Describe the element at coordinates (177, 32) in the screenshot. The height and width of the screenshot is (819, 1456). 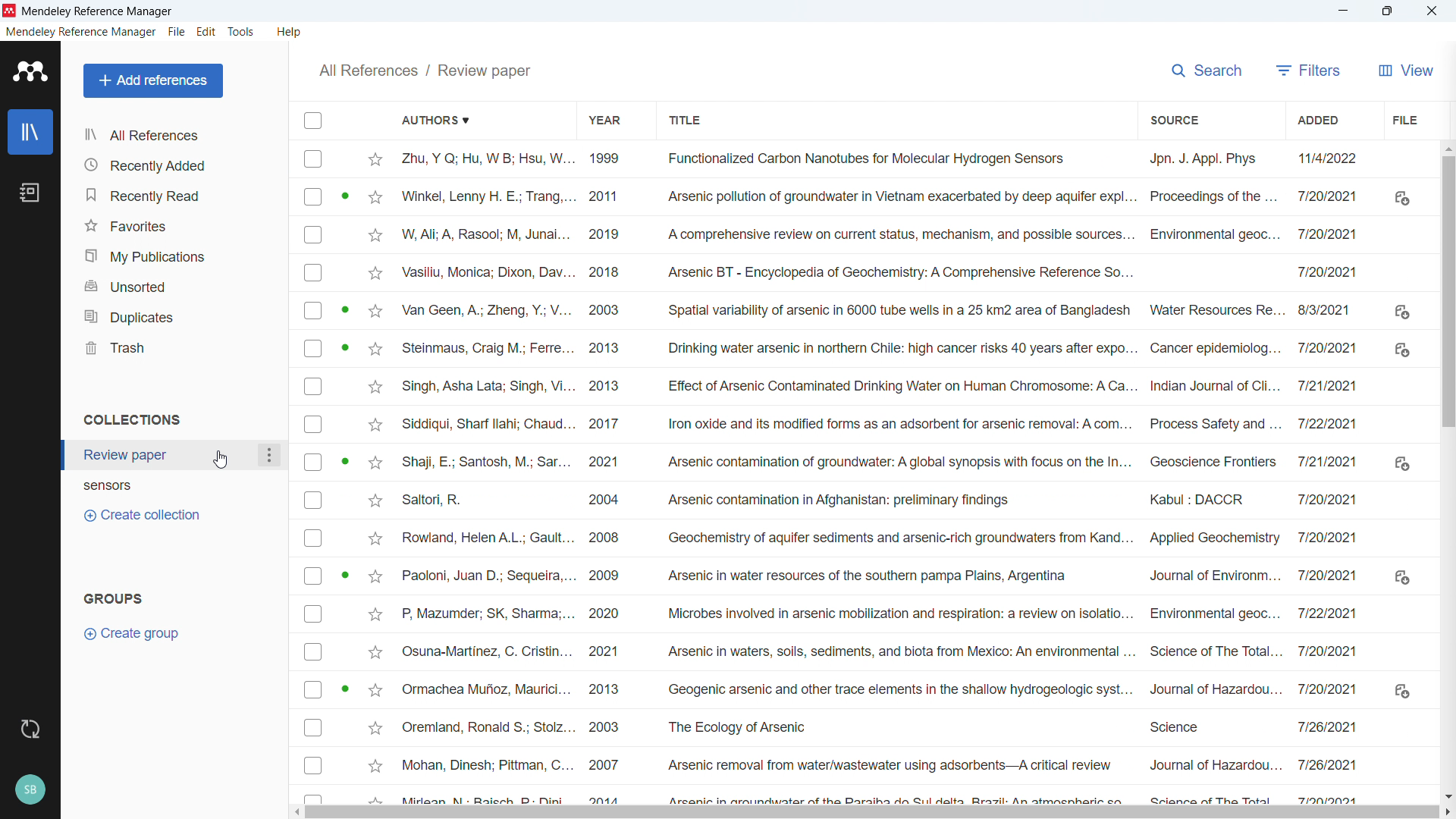
I see `File ` at that location.